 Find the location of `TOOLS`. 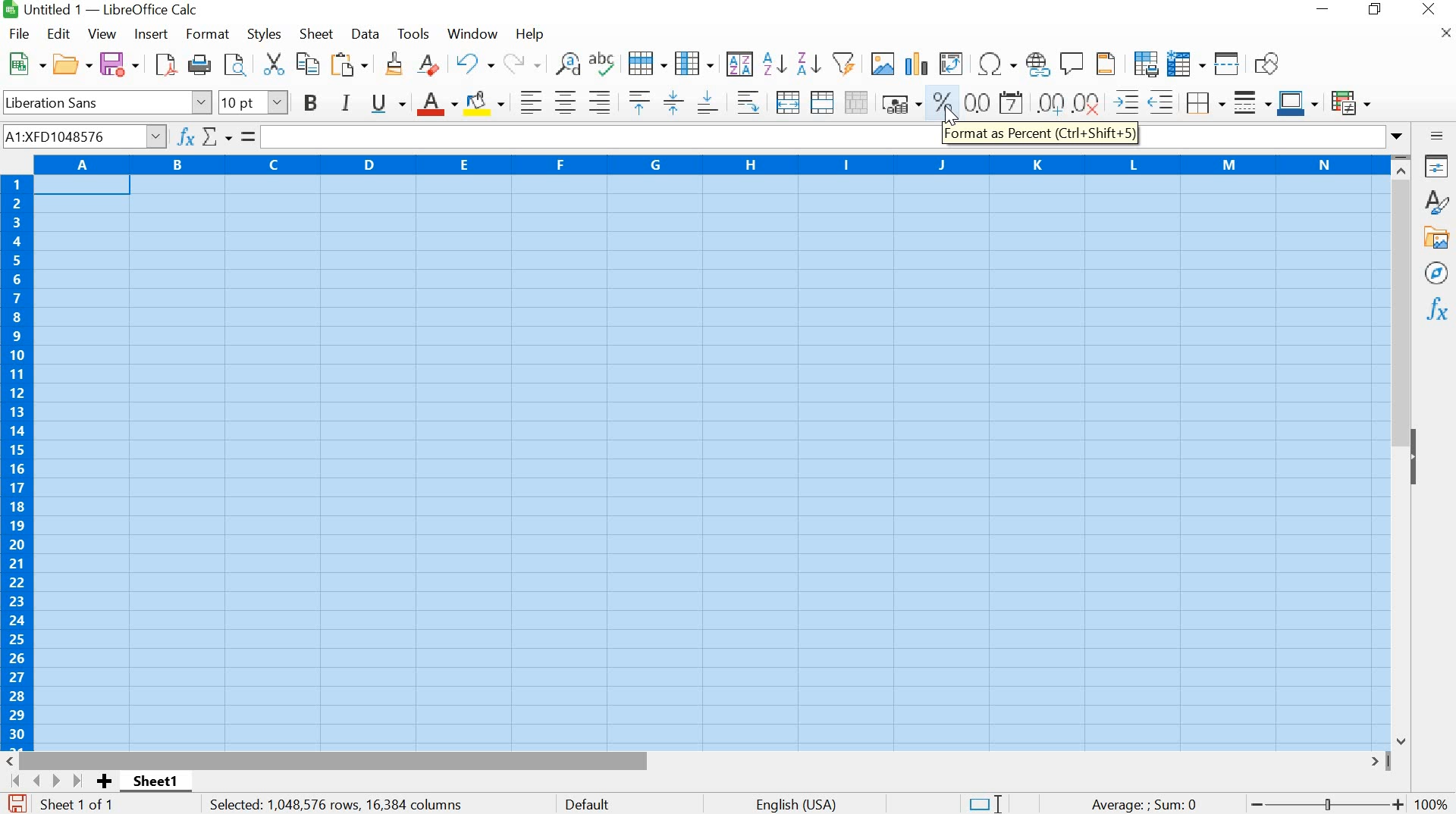

TOOLS is located at coordinates (418, 33).